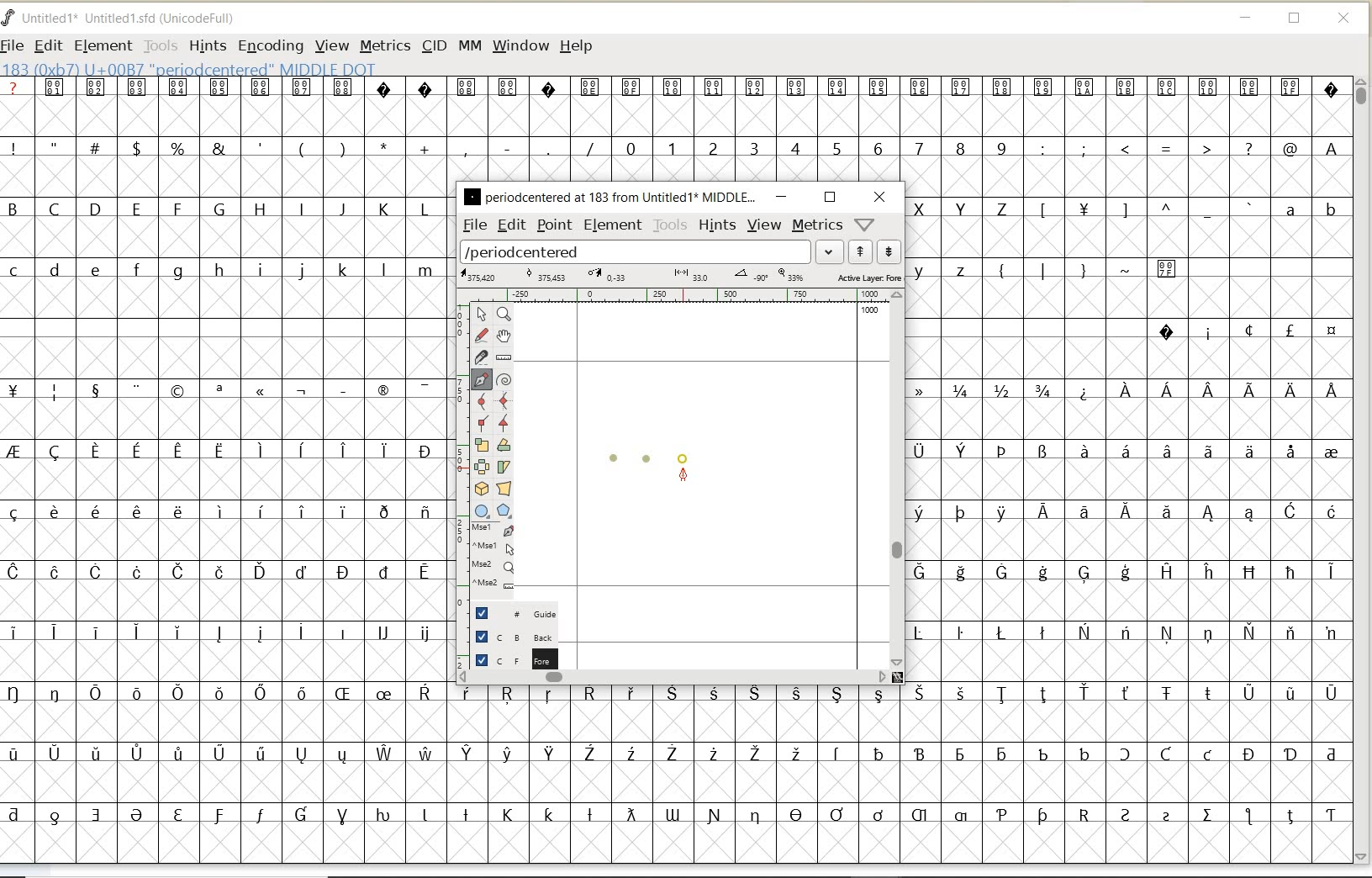 The image size is (1372, 878). I want to click on special characters, so click(673, 98).